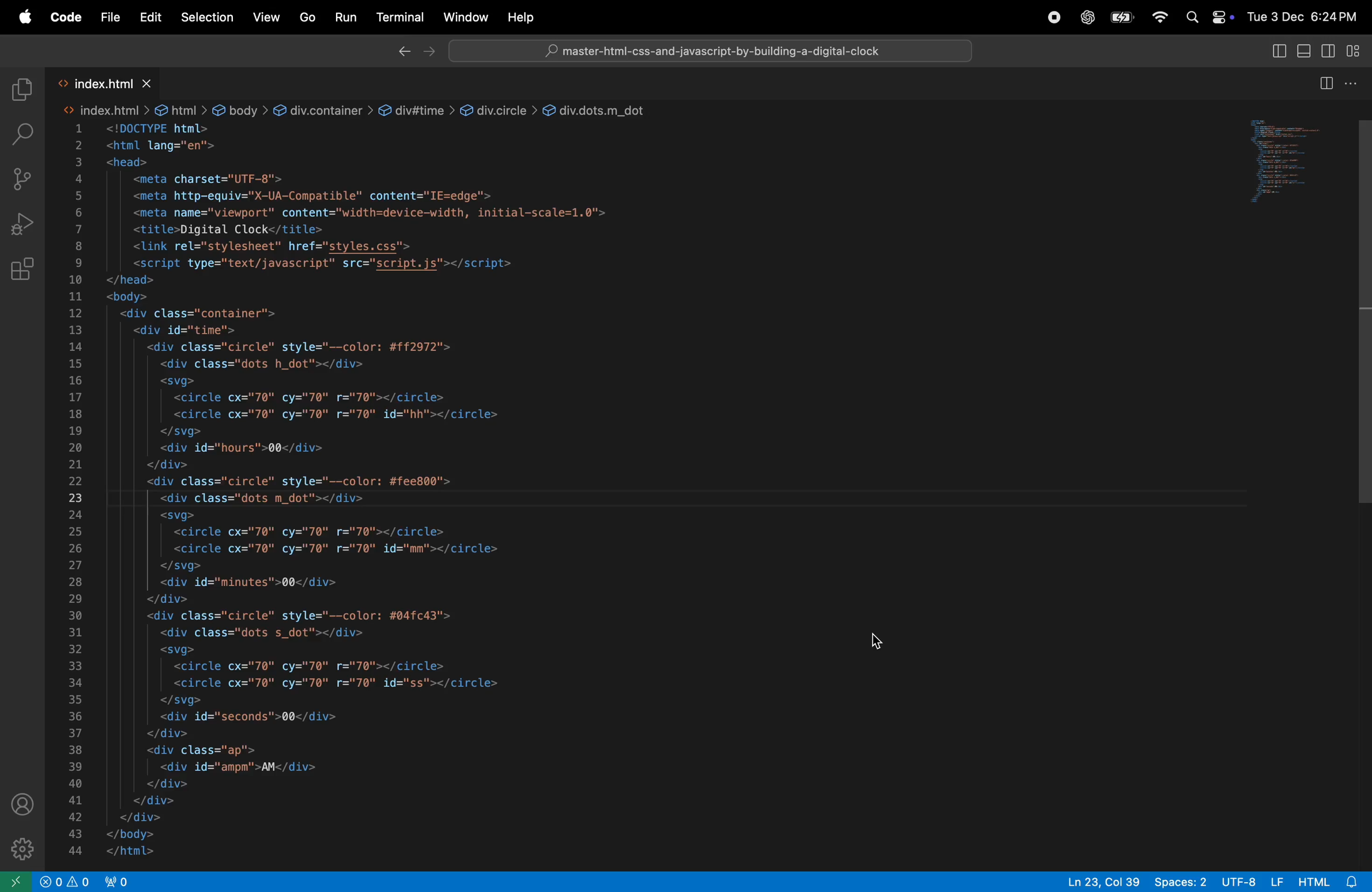 The width and height of the screenshot is (1372, 892). I want to click on setting, so click(18, 848).